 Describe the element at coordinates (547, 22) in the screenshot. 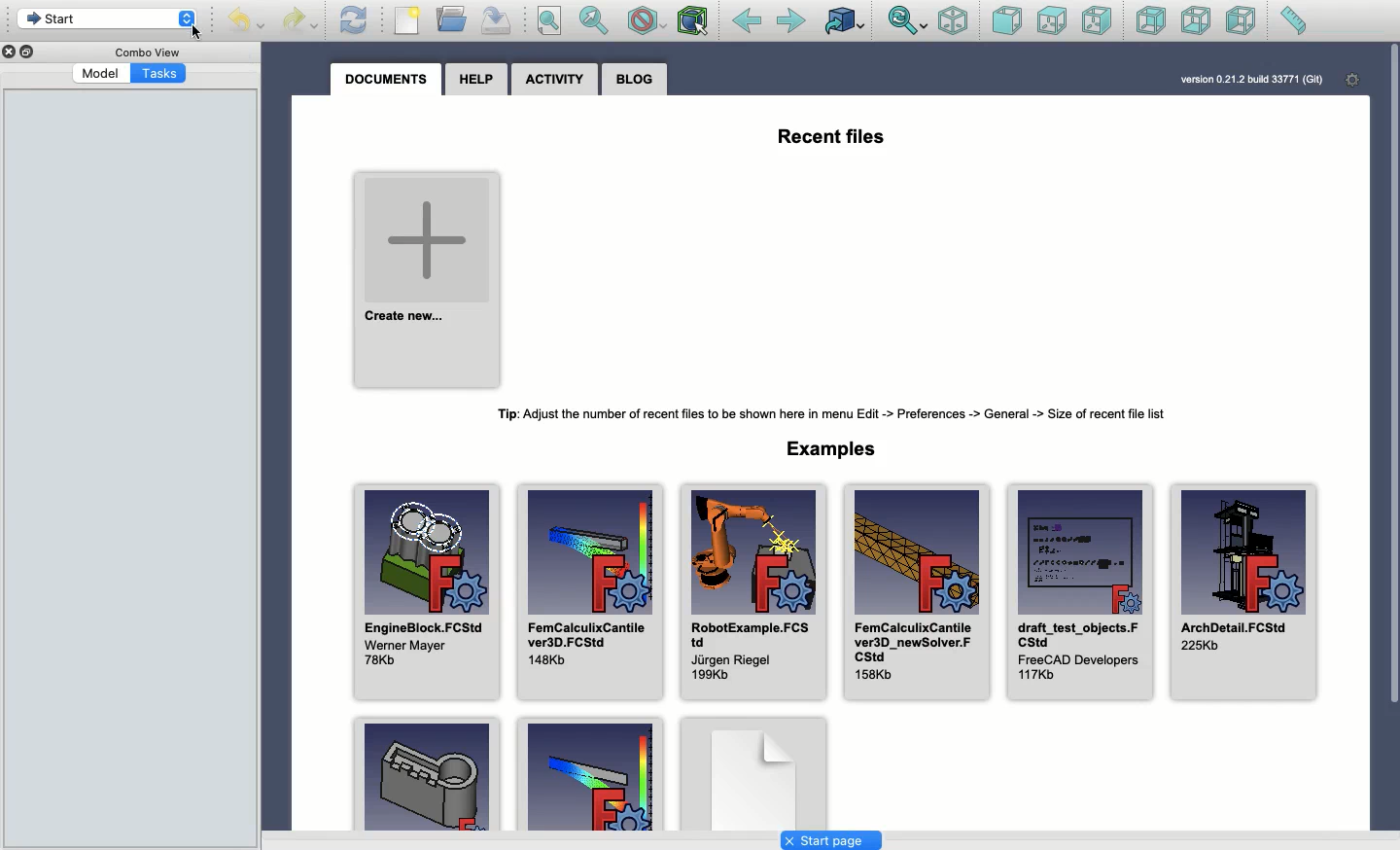

I see `Fit all` at that location.